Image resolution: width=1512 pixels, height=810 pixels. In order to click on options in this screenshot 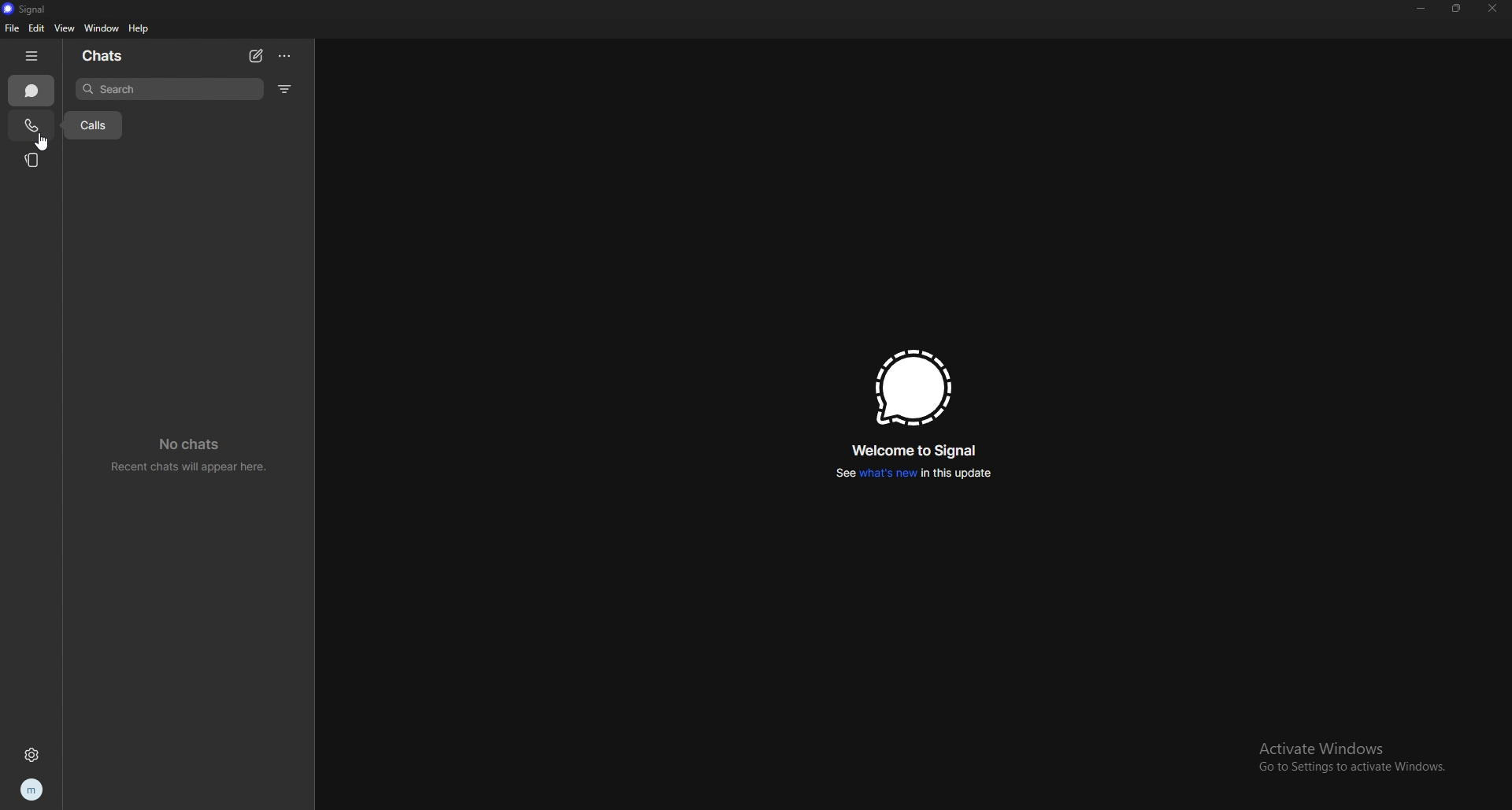, I will do `click(284, 55)`.